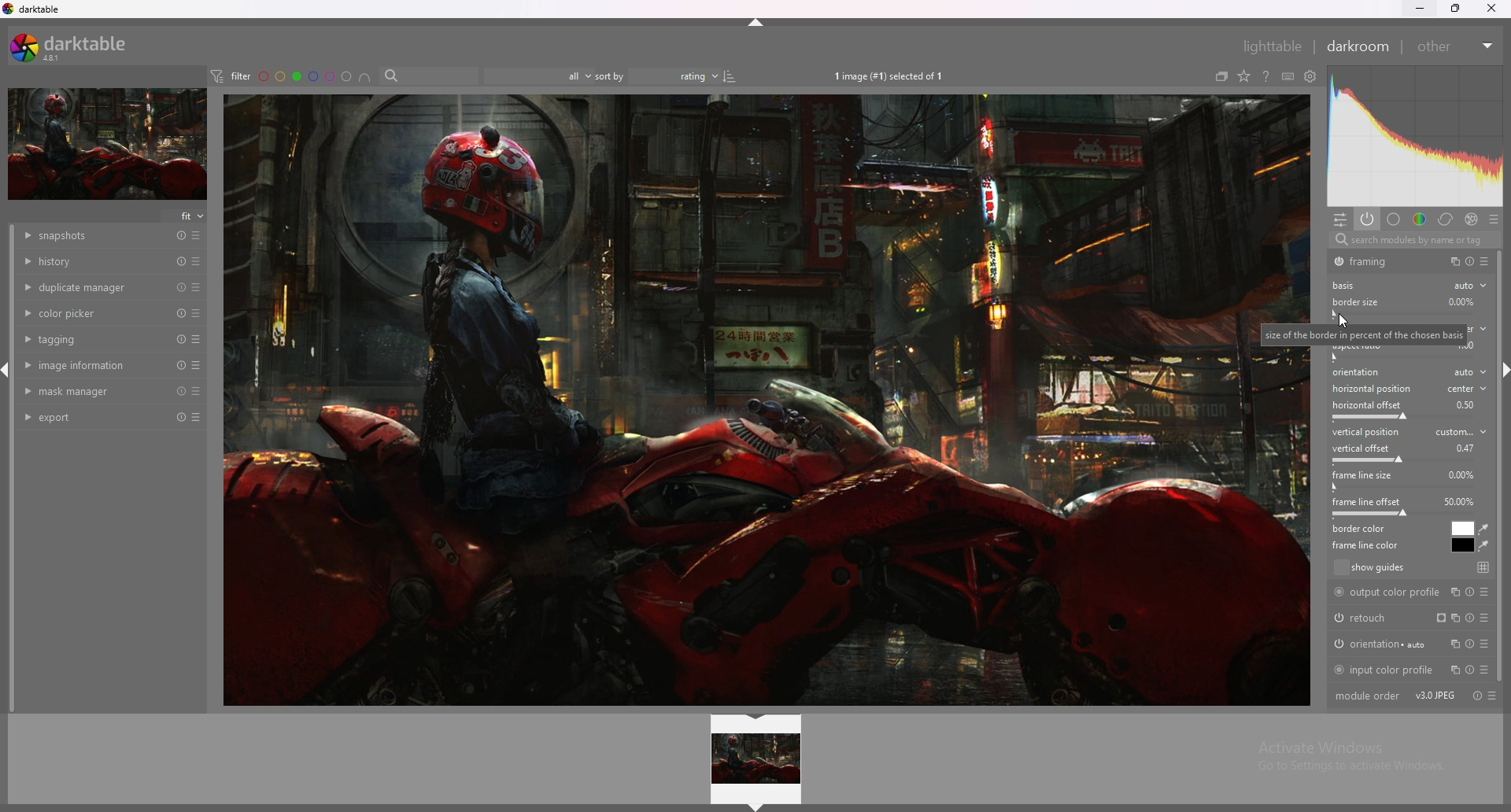  Describe the element at coordinates (106, 145) in the screenshot. I see `target image minimized` at that location.